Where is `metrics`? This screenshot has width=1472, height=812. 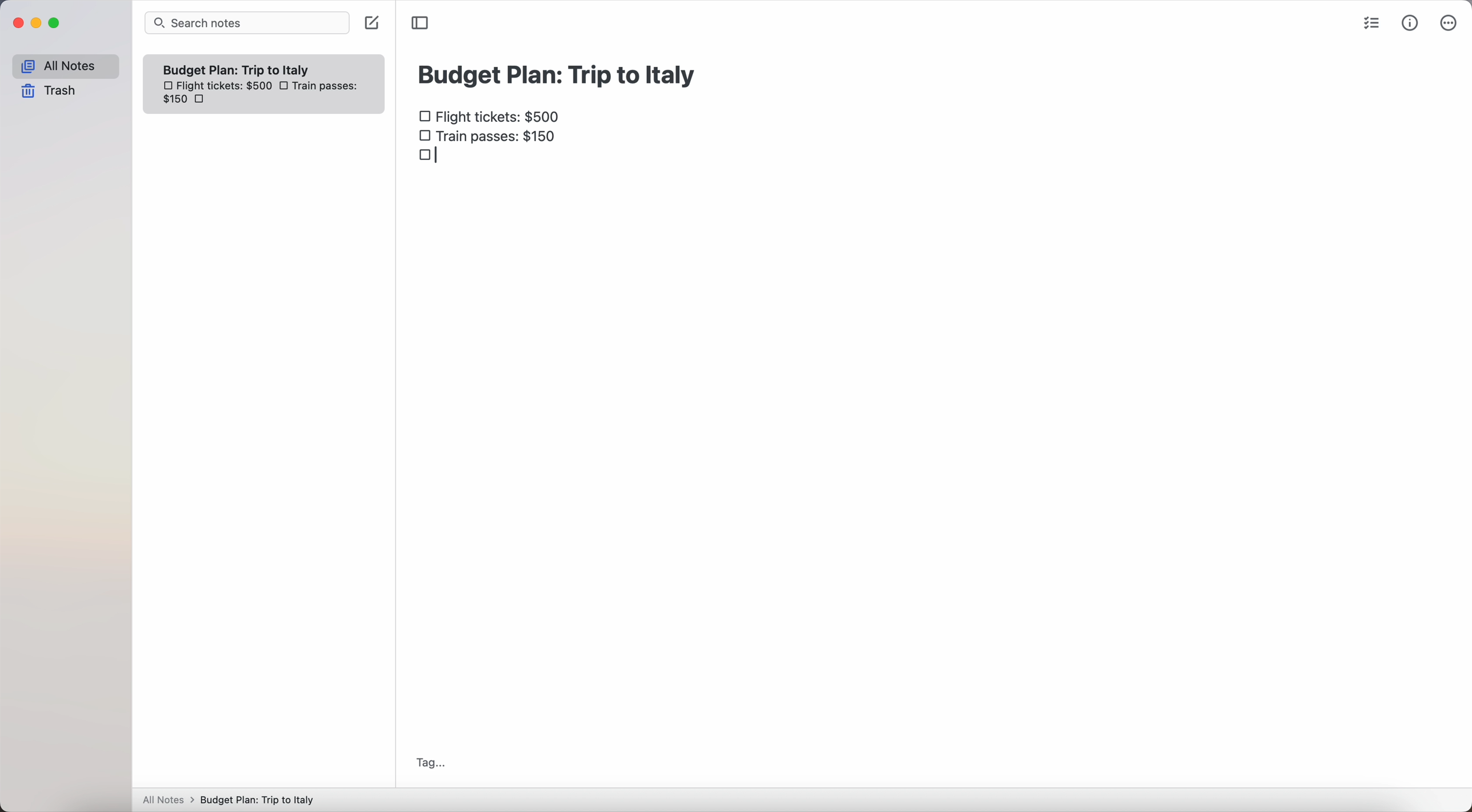
metrics is located at coordinates (1410, 25).